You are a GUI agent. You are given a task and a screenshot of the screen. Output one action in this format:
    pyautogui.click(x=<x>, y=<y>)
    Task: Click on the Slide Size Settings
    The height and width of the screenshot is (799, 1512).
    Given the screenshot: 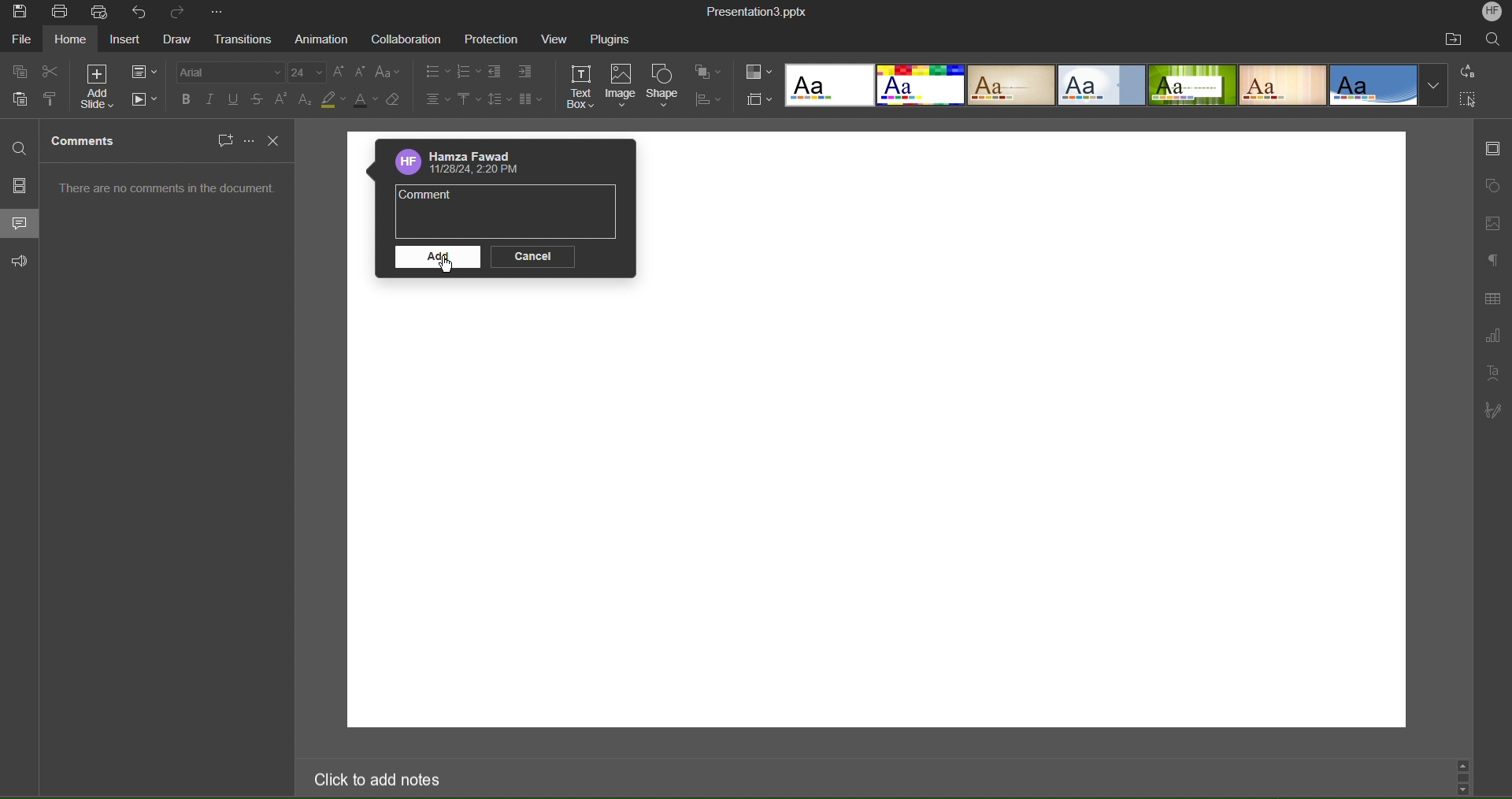 What is the action you would take?
    pyautogui.click(x=759, y=100)
    